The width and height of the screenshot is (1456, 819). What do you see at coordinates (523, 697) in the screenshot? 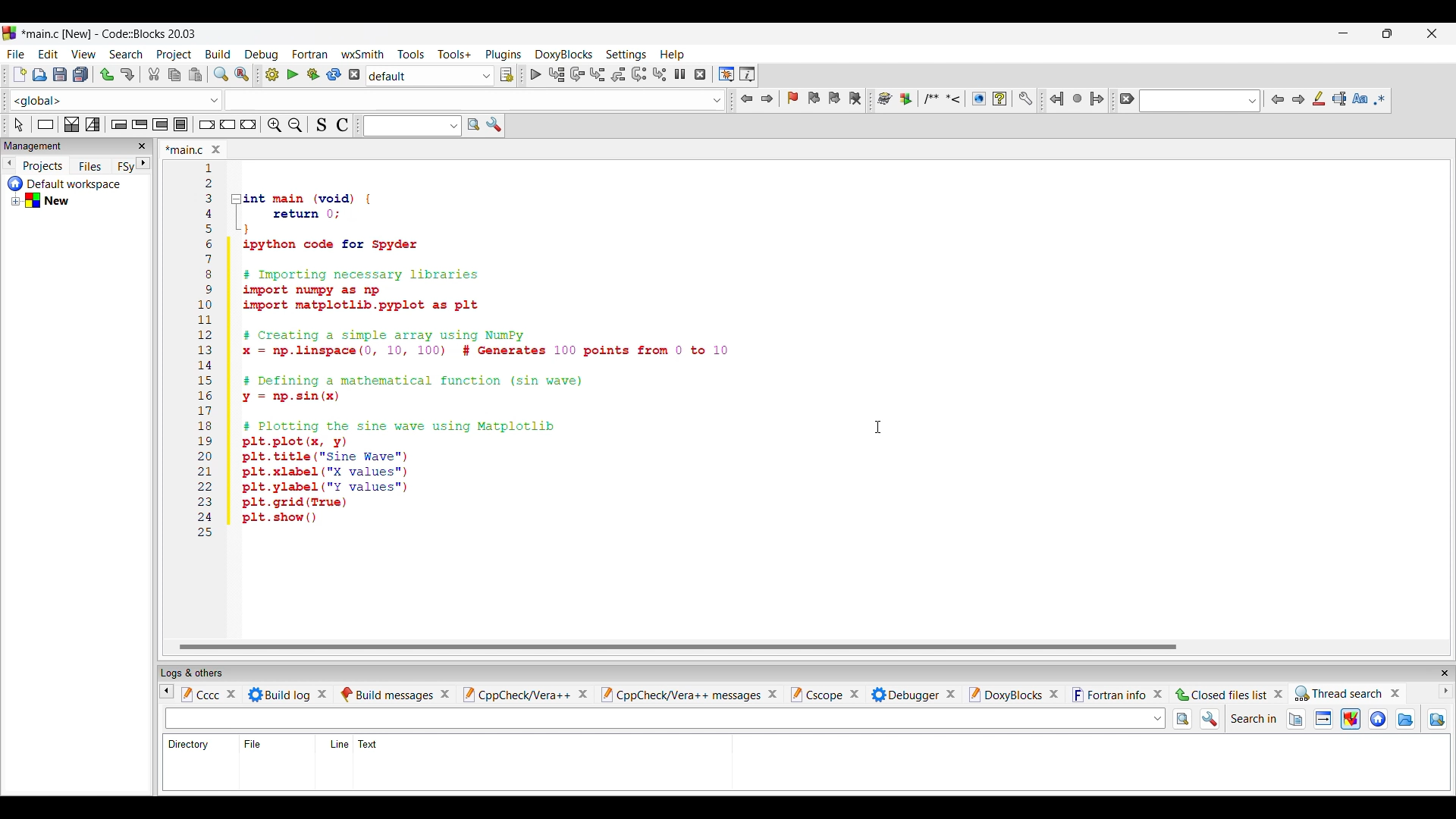
I see `` at bounding box center [523, 697].